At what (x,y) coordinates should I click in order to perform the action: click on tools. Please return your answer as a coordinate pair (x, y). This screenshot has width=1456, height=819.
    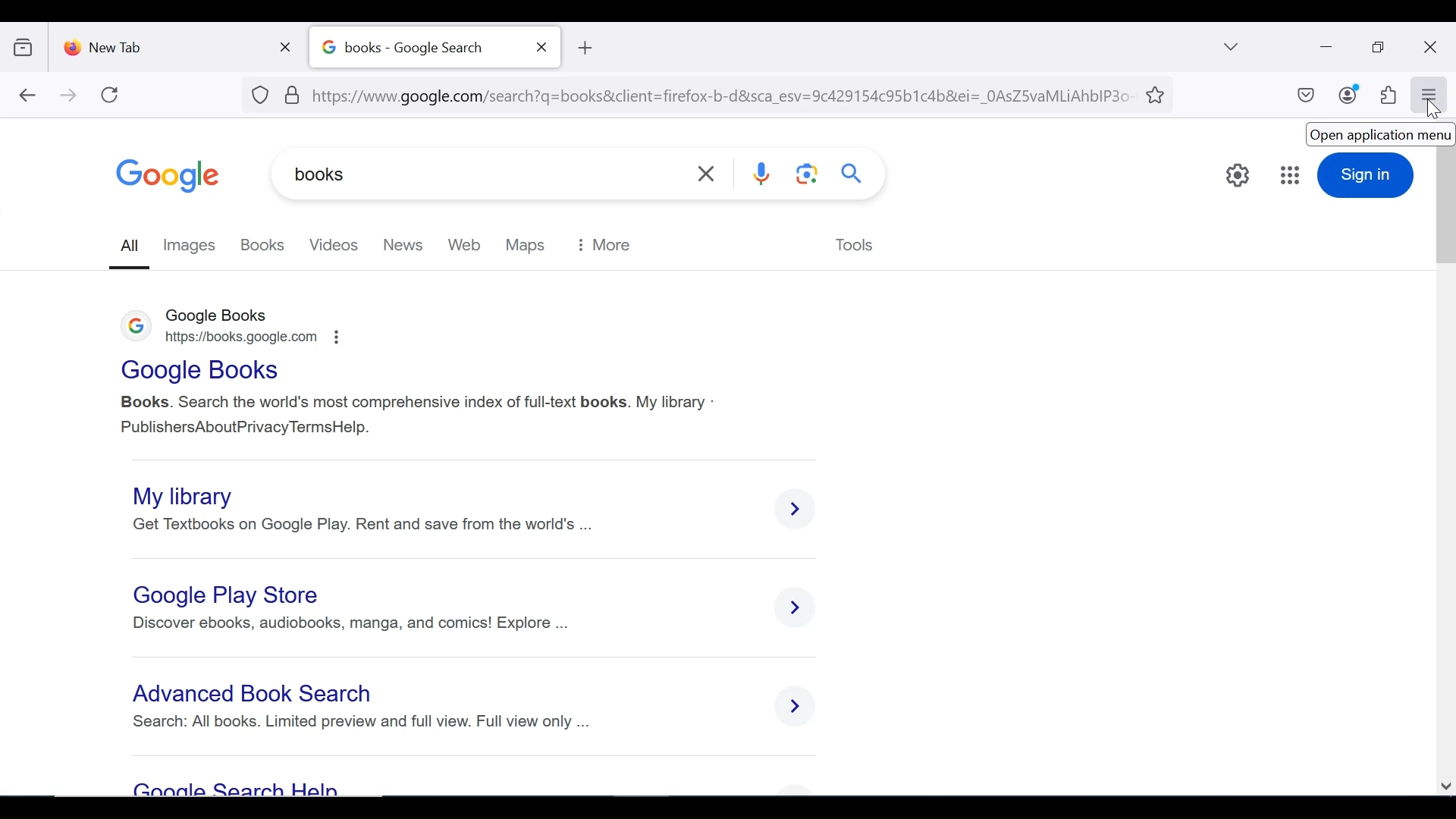
    Looking at the image, I should click on (855, 246).